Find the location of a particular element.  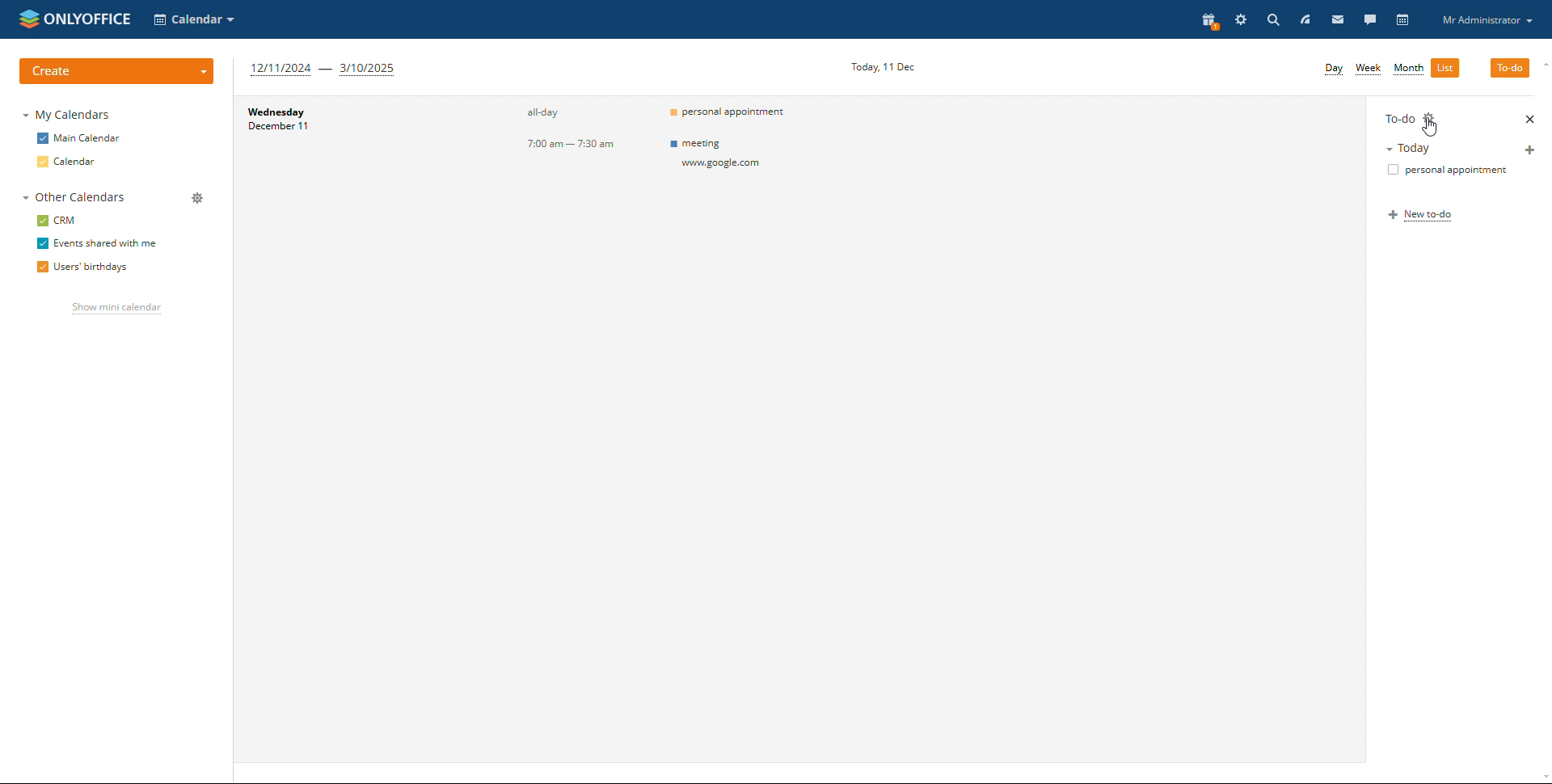

to-do is located at coordinates (1398, 117).